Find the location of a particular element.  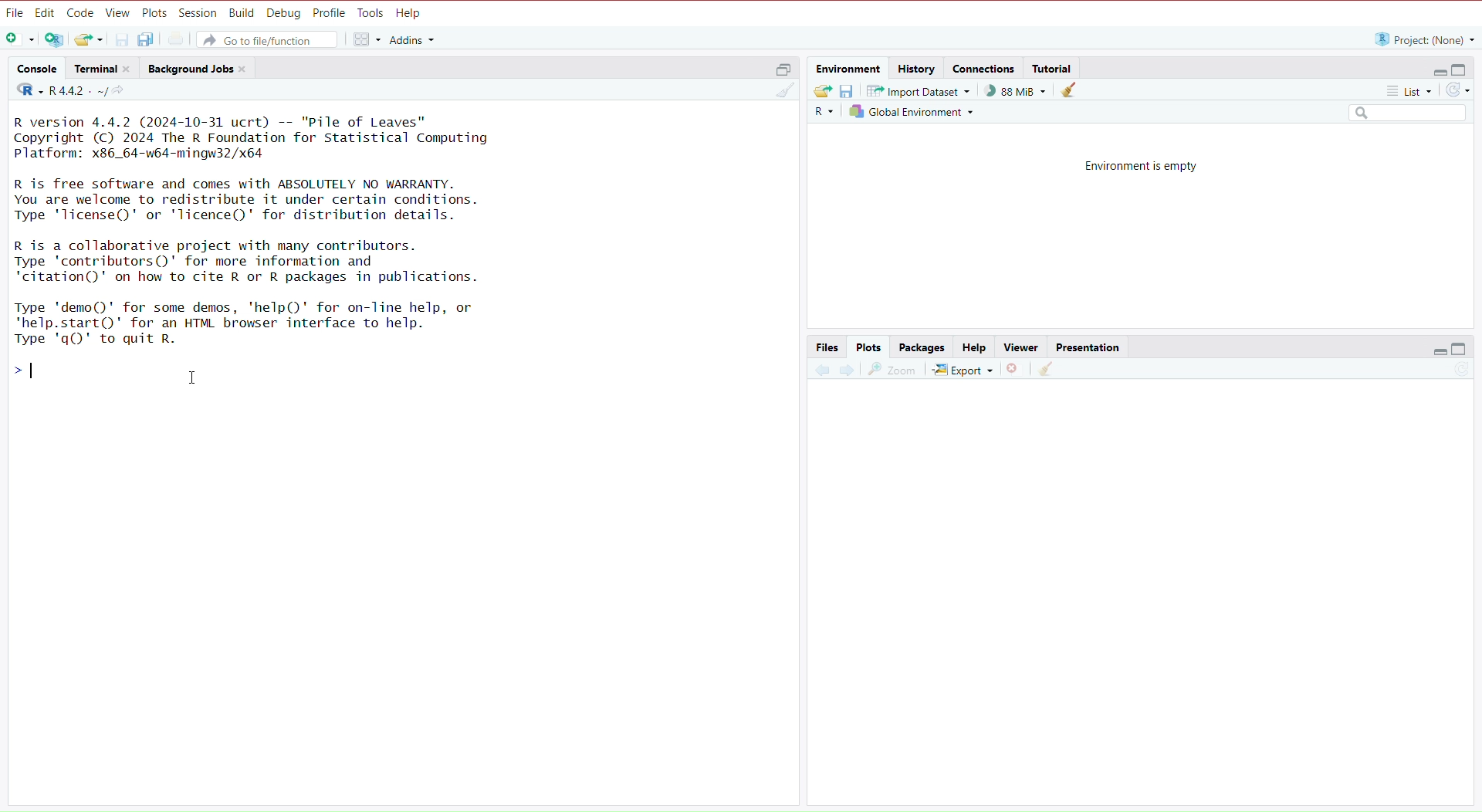

Save all open files is located at coordinates (145, 40).